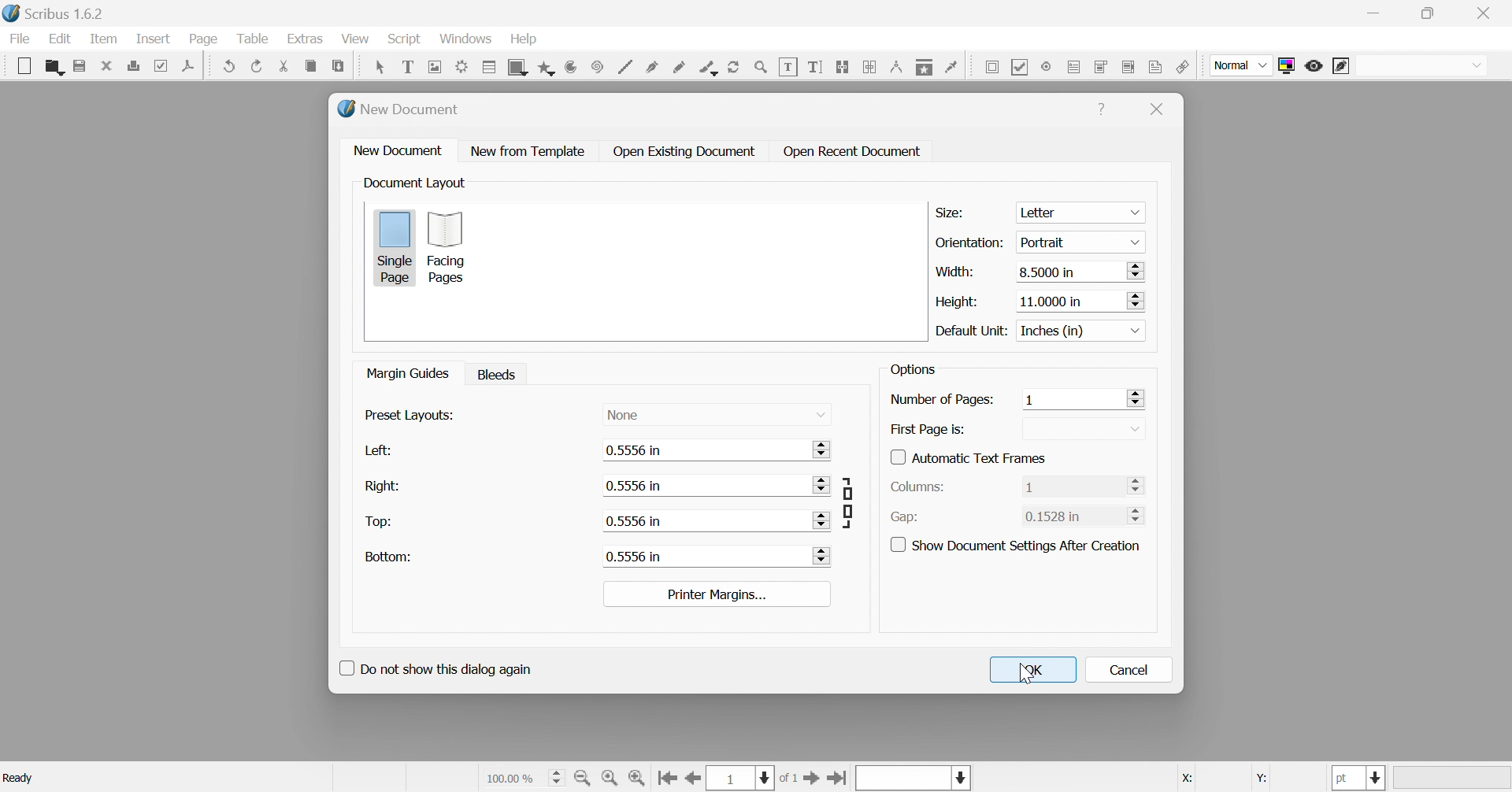 The image size is (1512, 792). I want to click on show document settings after creation, so click(1018, 546).